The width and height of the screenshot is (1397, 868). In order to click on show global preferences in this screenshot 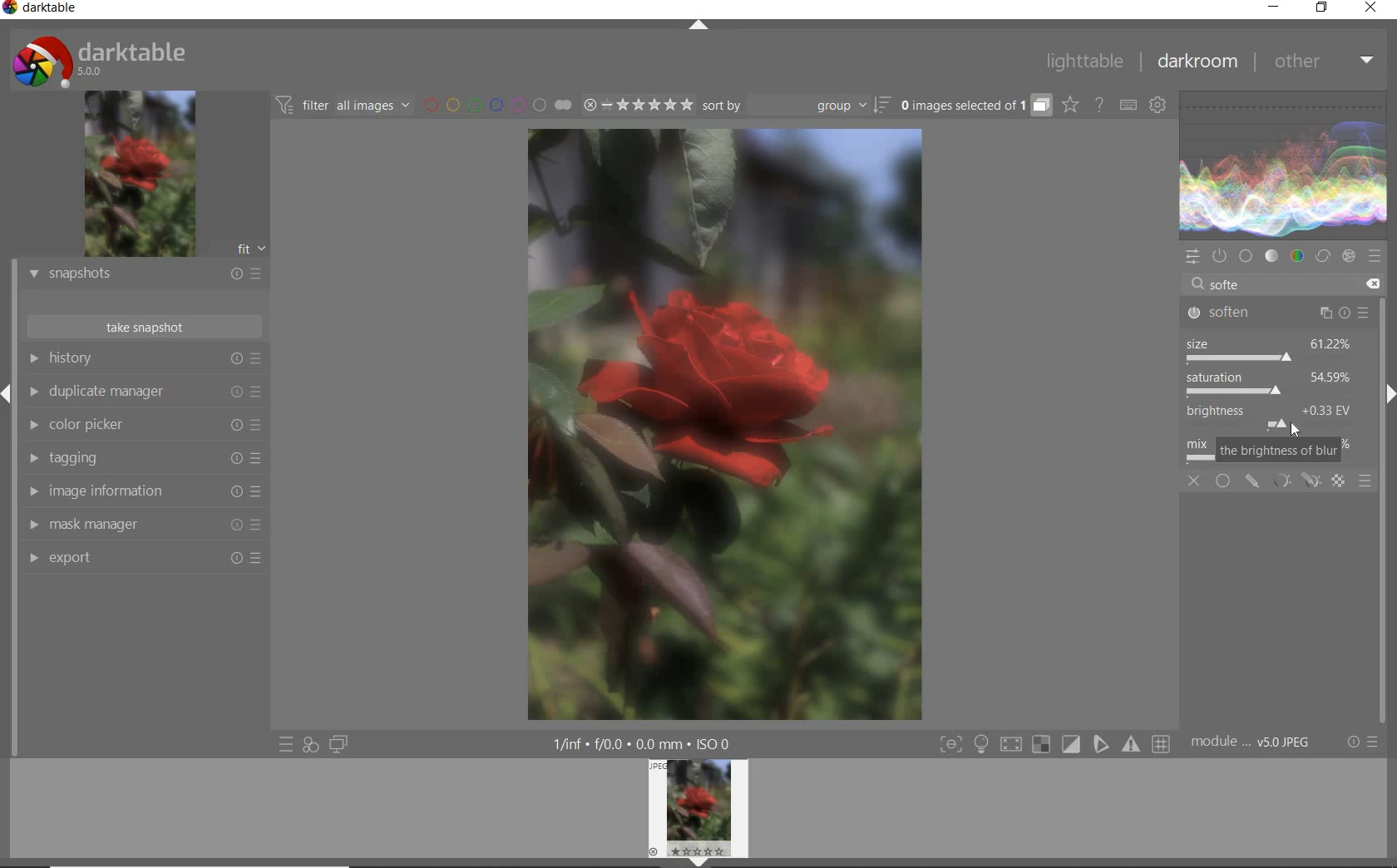, I will do `click(1157, 106)`.